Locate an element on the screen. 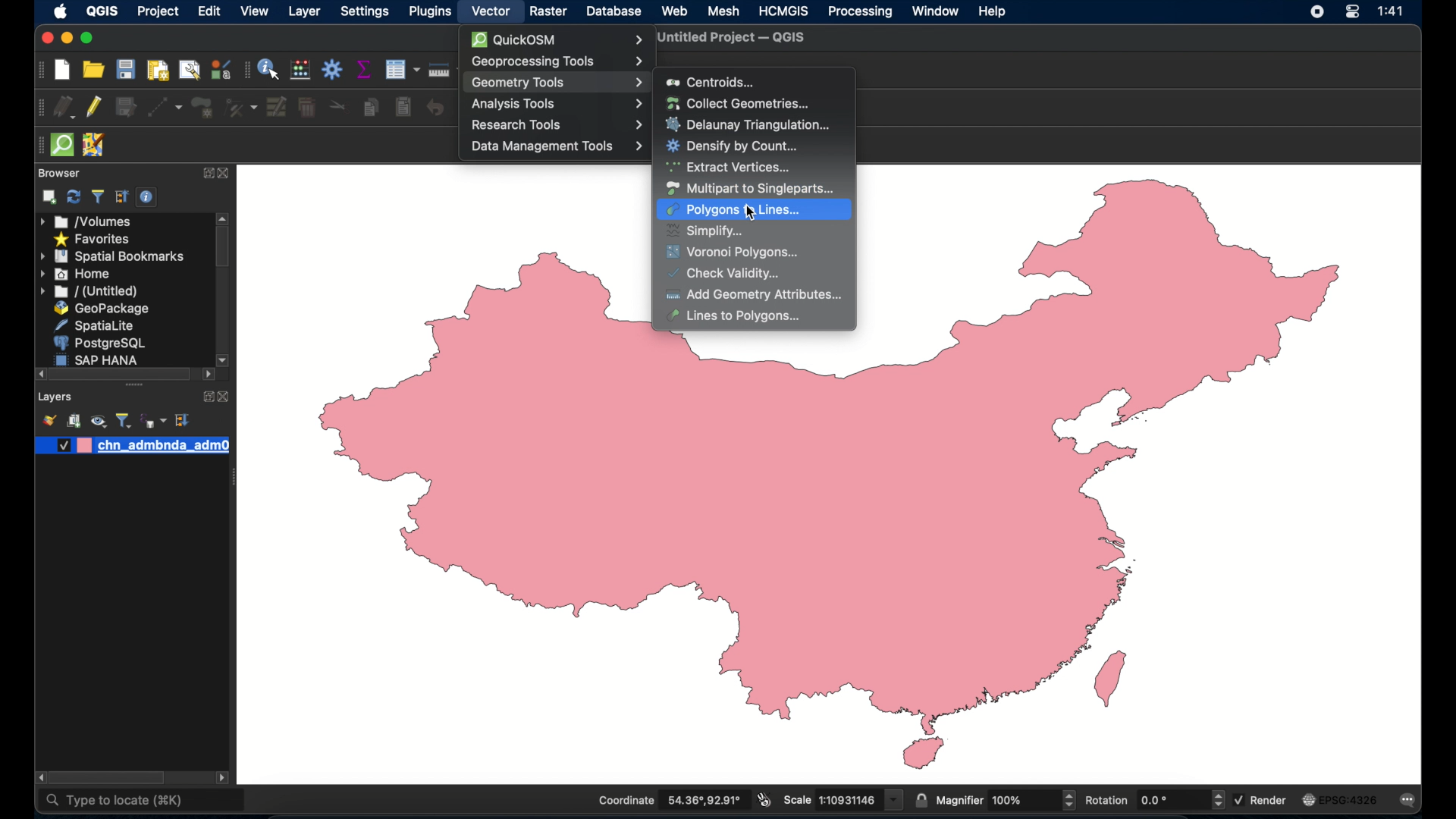  window is located at coordinates (935, 11).